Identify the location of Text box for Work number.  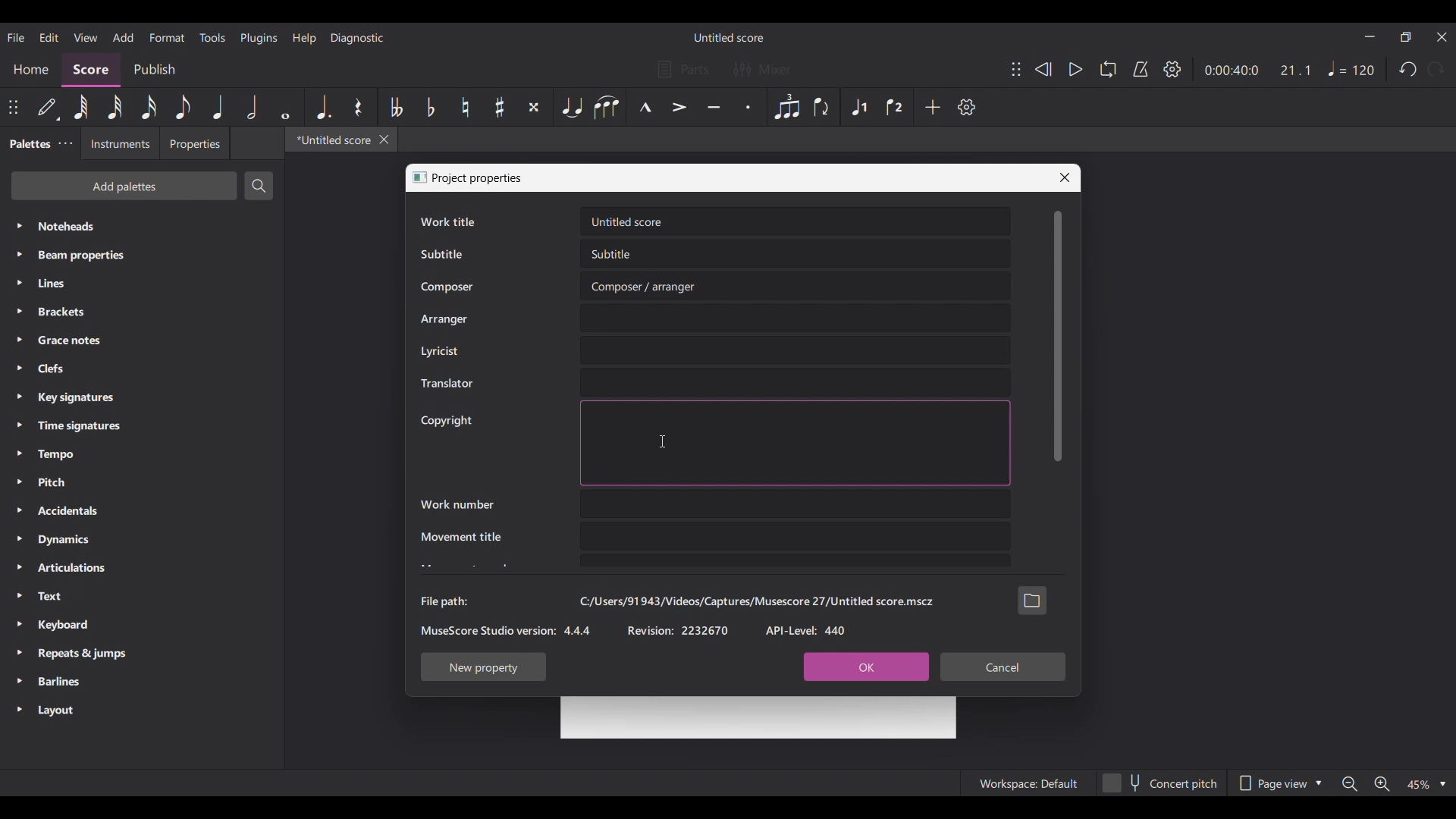
(795, 504).